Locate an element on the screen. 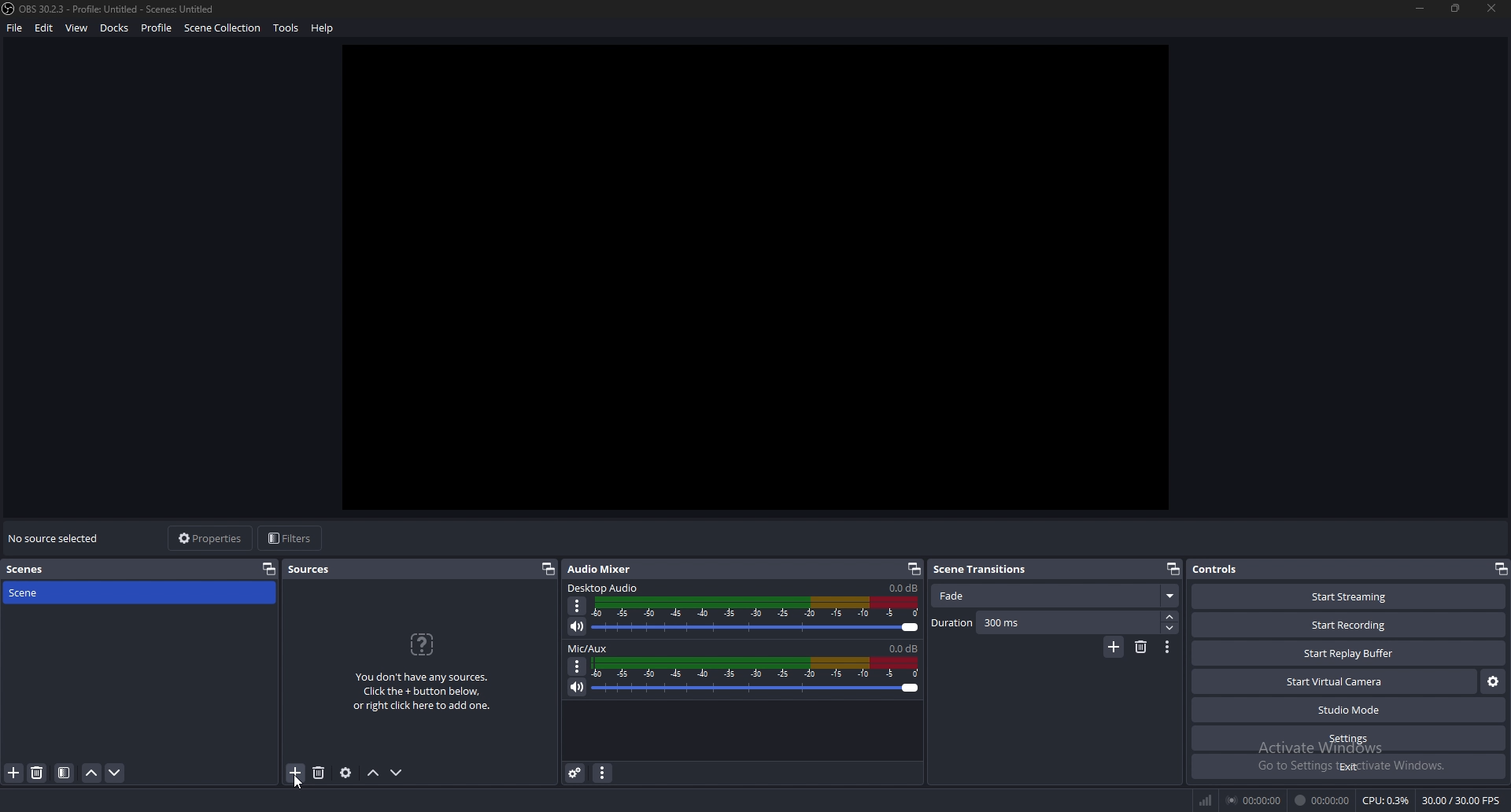 This screenshot has height=812, width=1511. scenes is located at coordinates (27, 570).